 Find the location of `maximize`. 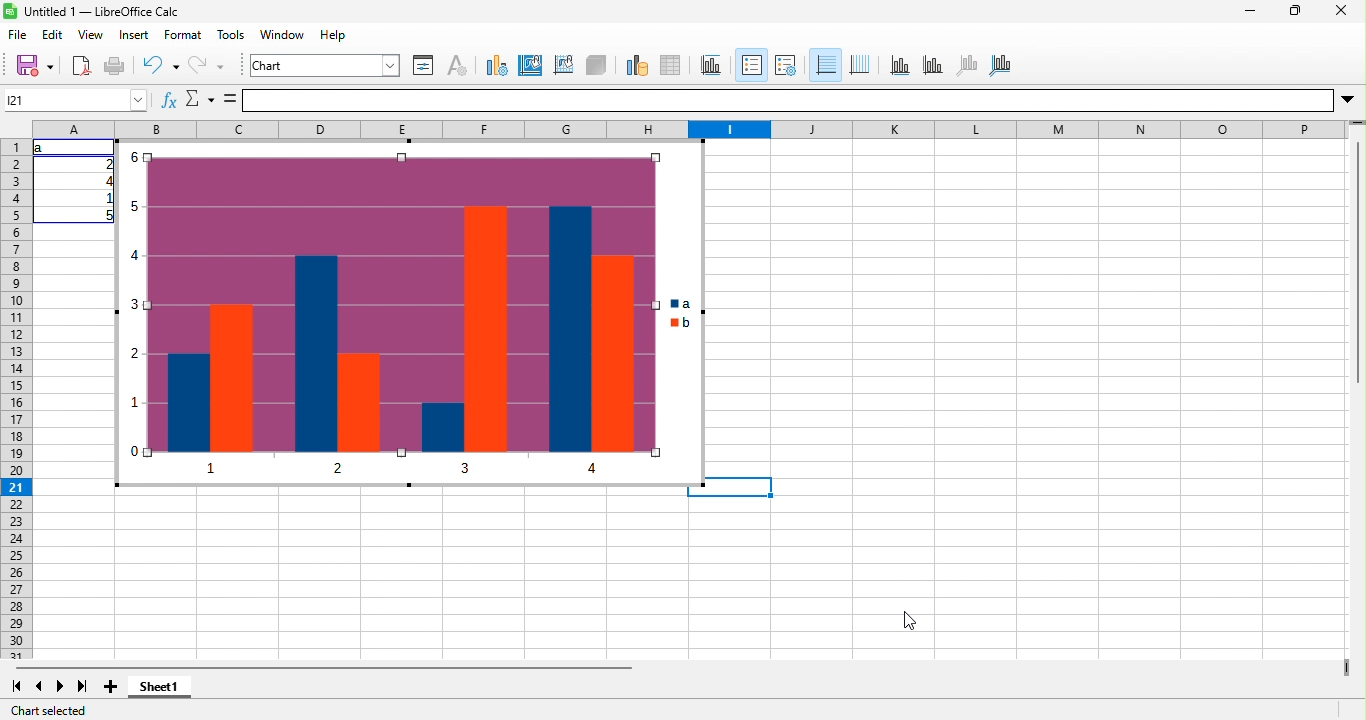

maximize is located at coordinates (1296, 11).